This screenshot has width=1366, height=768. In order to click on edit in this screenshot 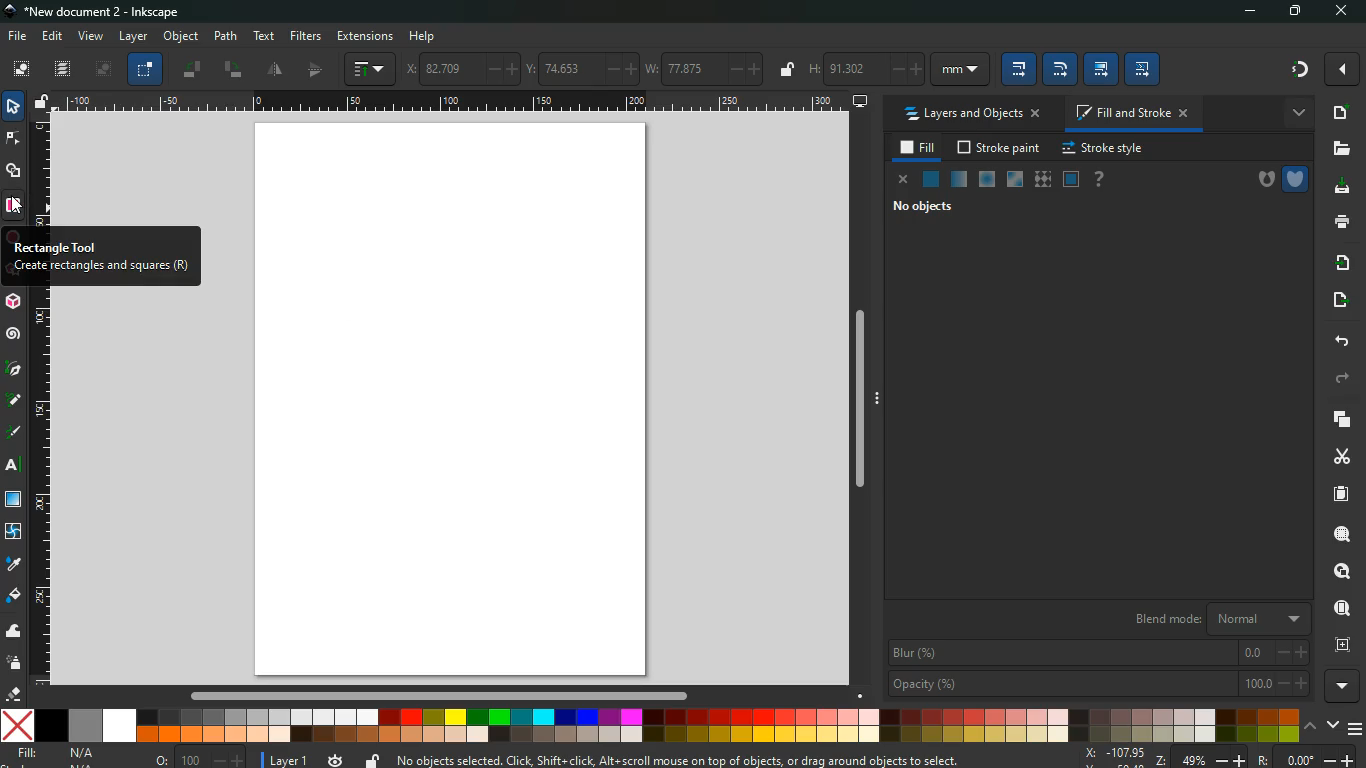, I will do `click(1059, 70)`.